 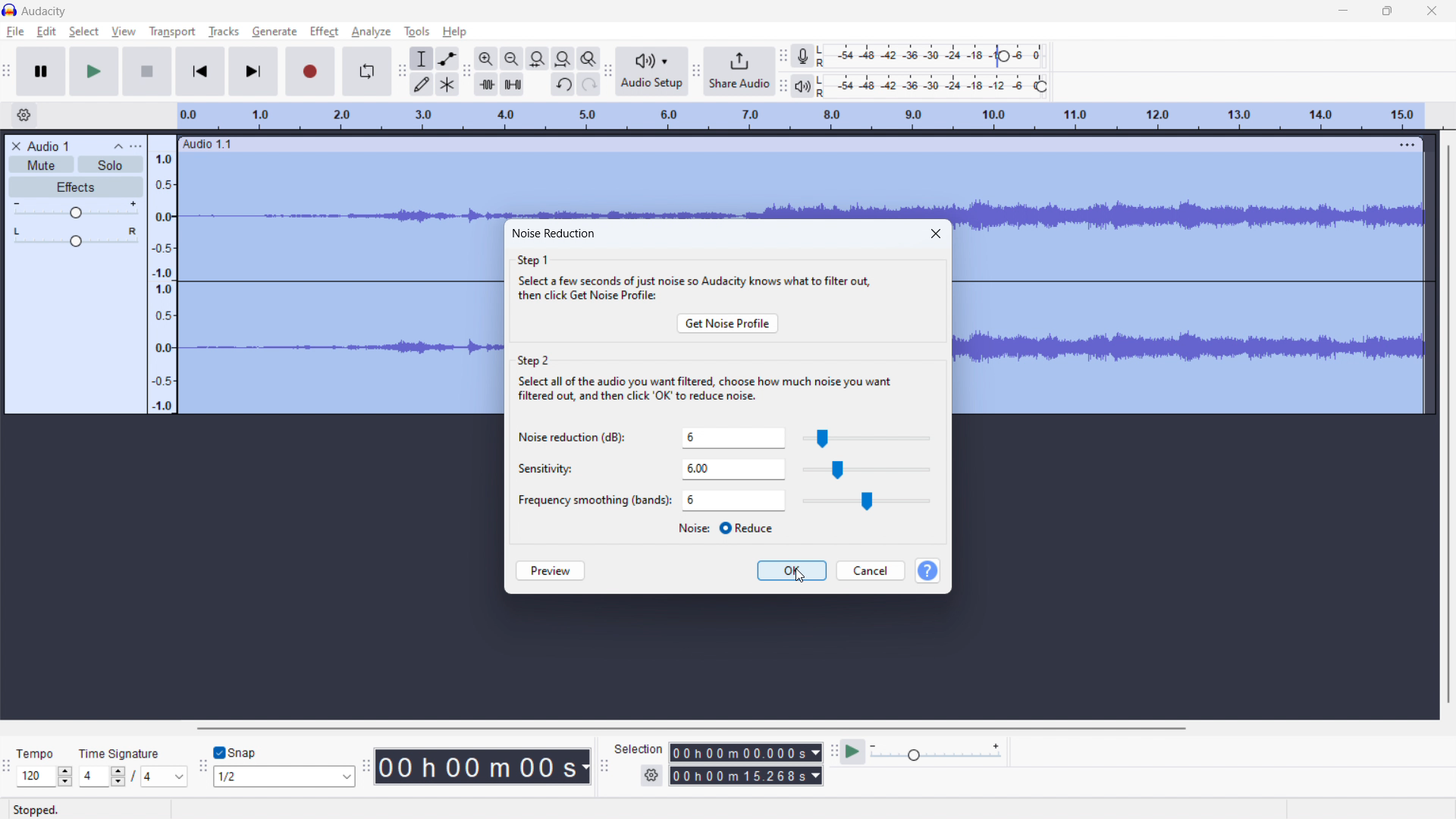 I want to click on edit toolbar, so click(x=466, y=71).